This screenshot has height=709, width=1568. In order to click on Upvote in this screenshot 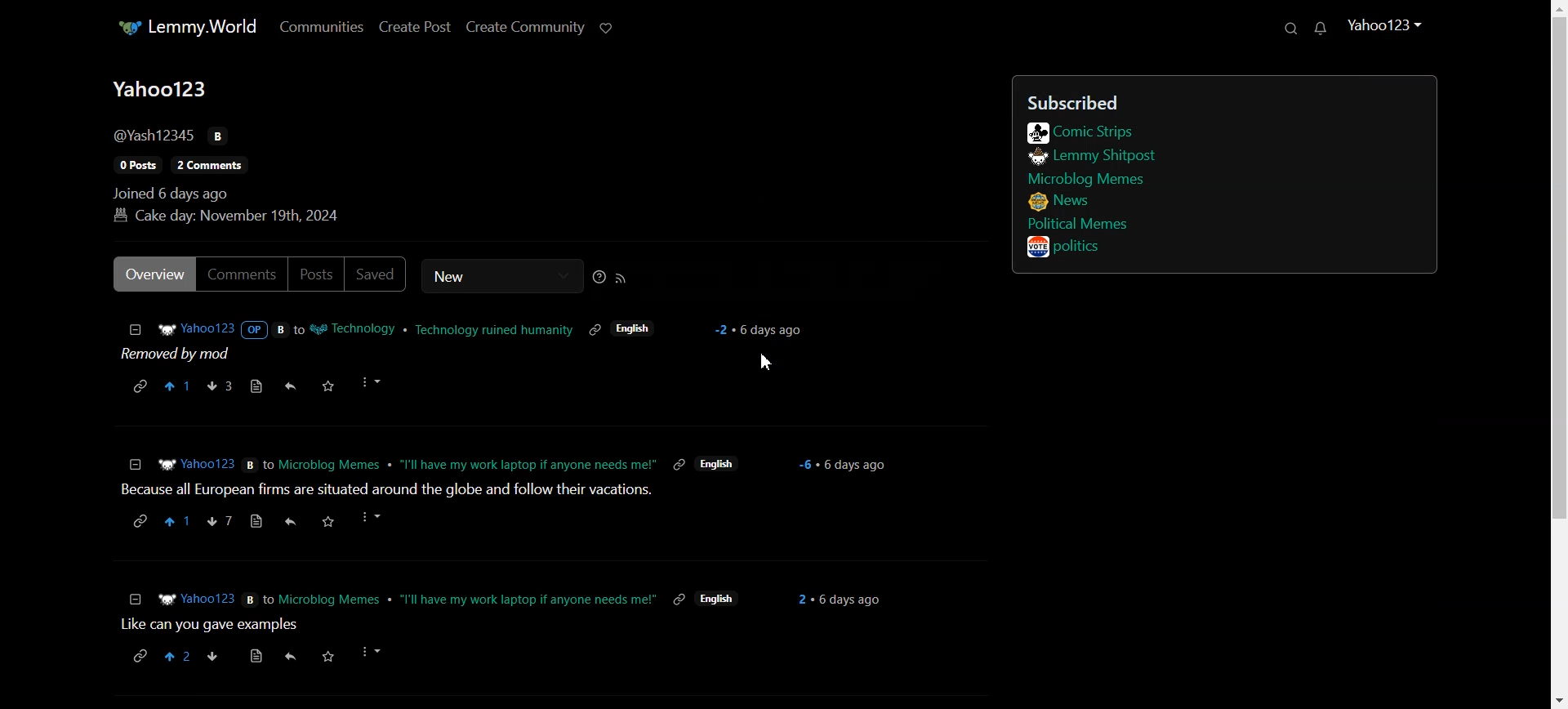, I will do `click(177, 386)`.